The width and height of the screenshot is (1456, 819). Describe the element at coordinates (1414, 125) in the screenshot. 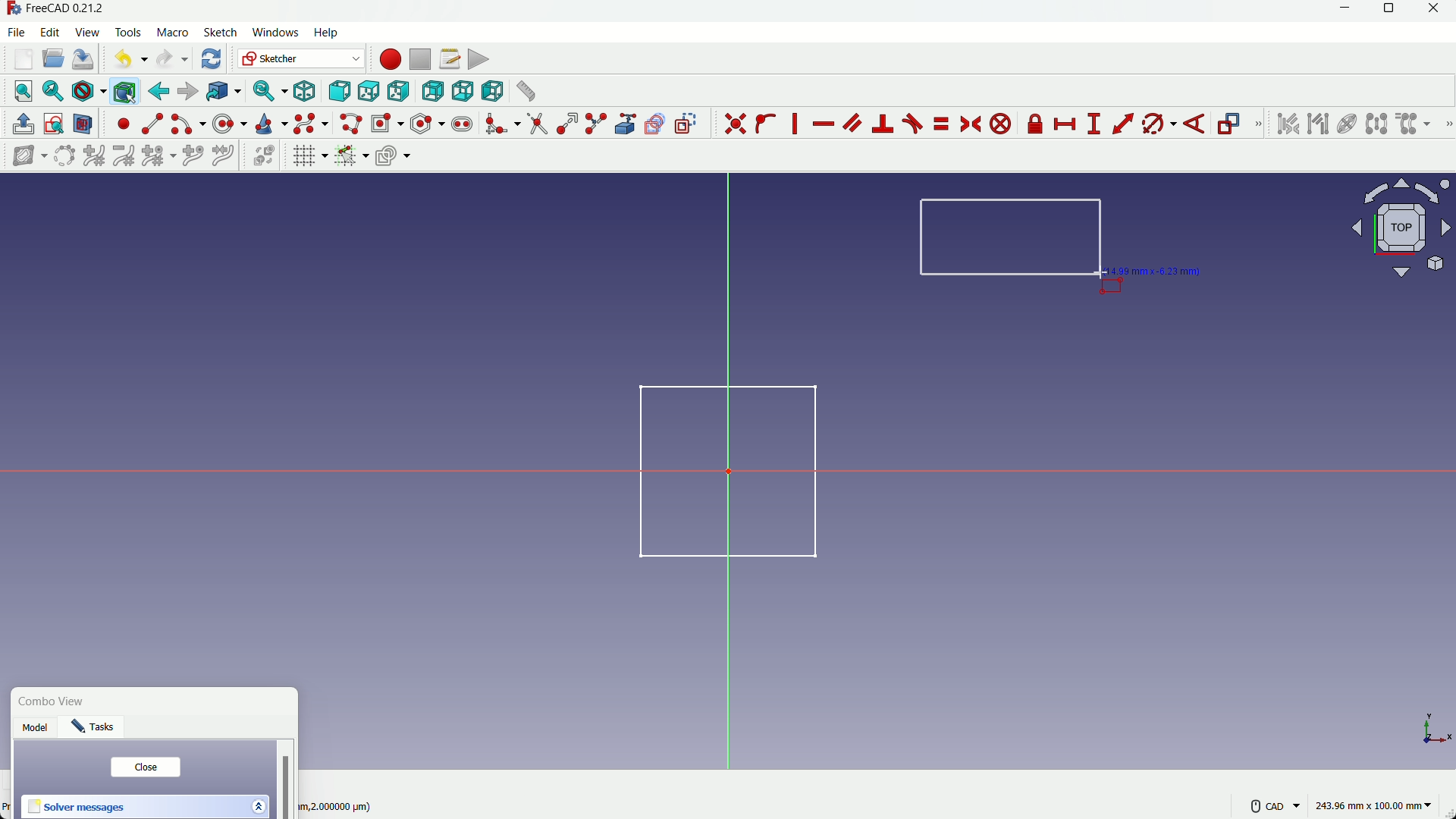

I see `clone` at that location.